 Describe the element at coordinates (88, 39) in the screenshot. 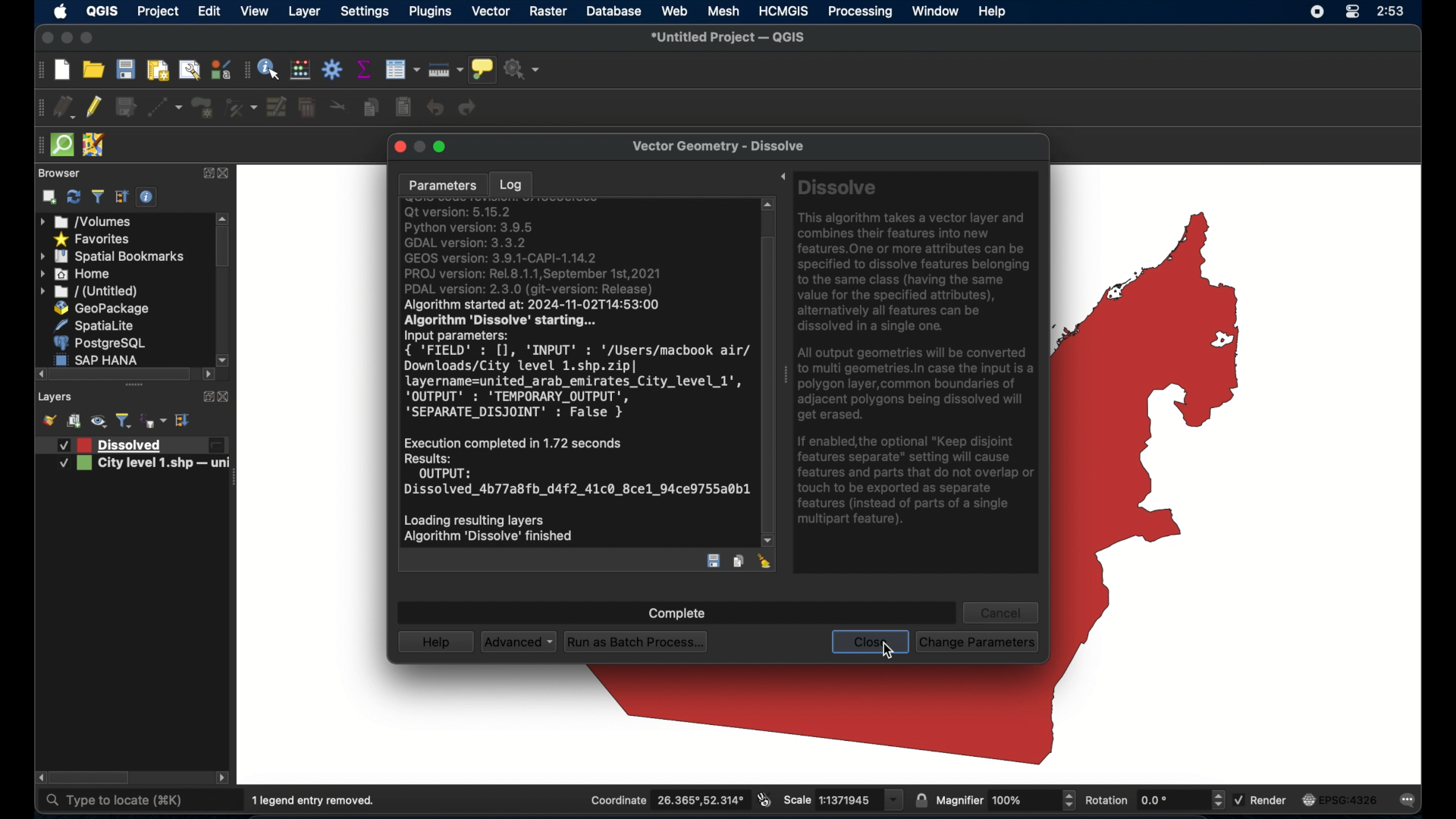

I see `maximize` at that location.